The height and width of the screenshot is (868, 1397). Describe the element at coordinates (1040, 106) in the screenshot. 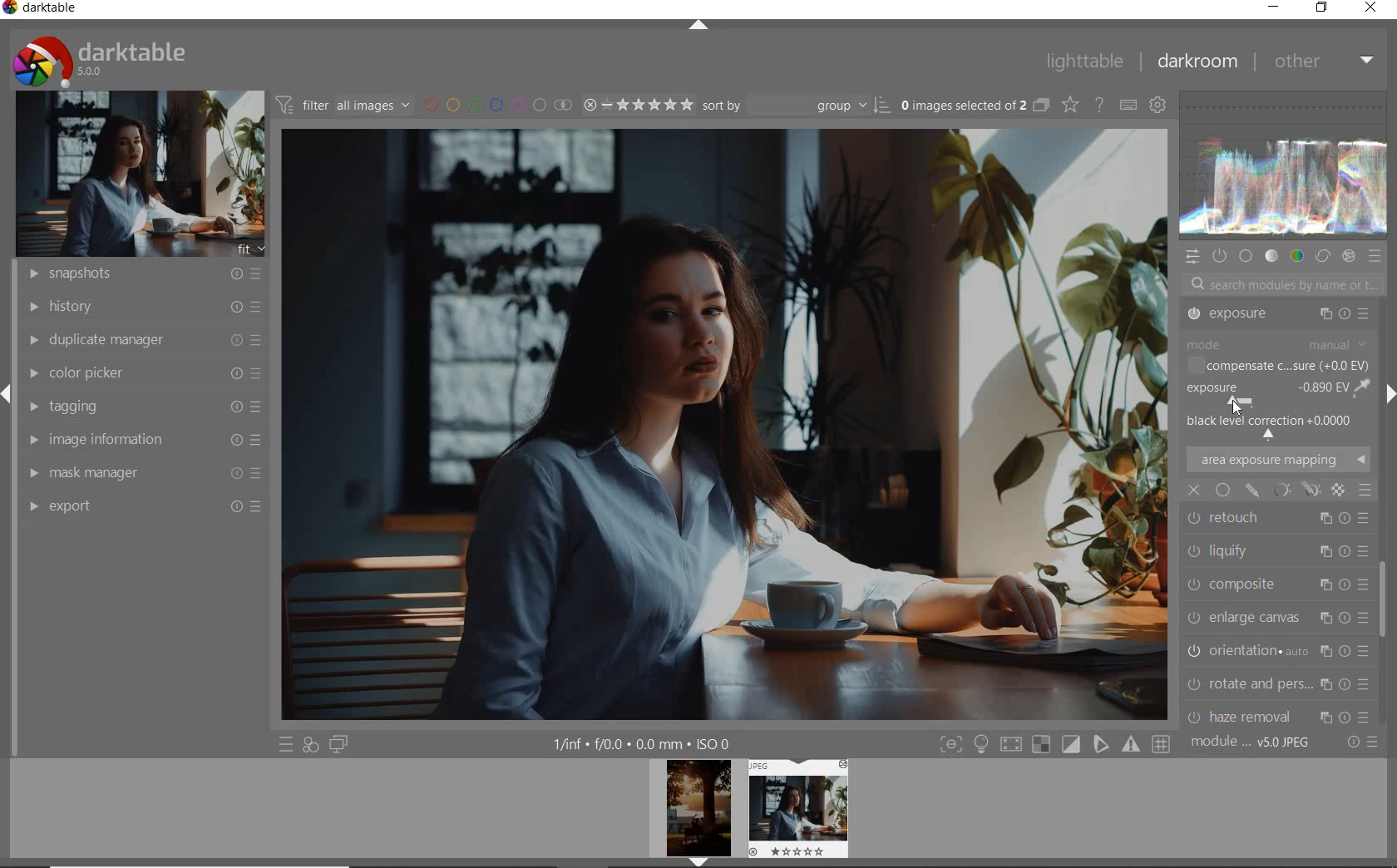

I see `COLLAPSE GROUPED IMAGE` at that location.